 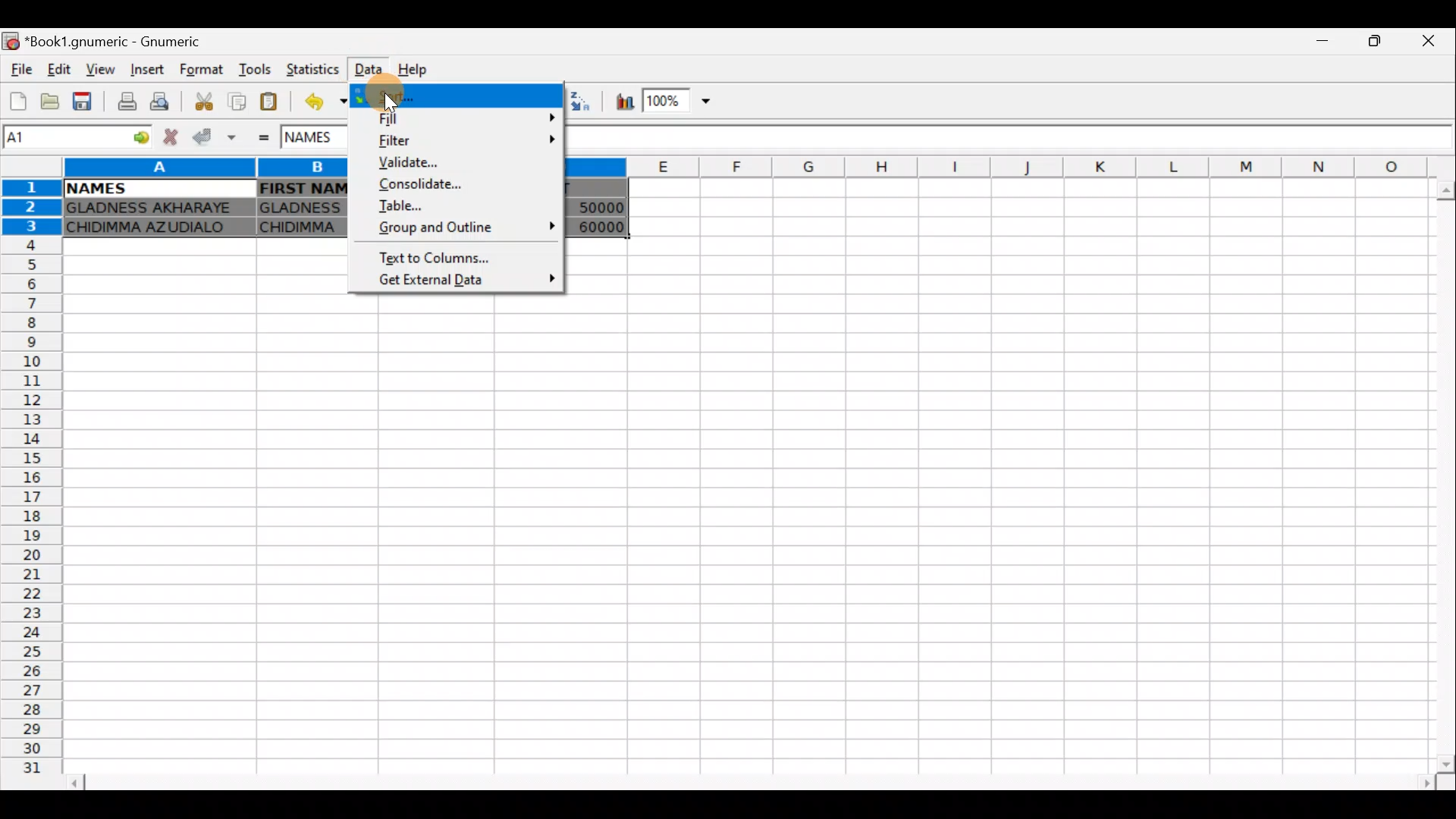 What do you see at coordinates (212, 137) in the screenshot?
I see `Accept change` at bounding box center [212, 137].